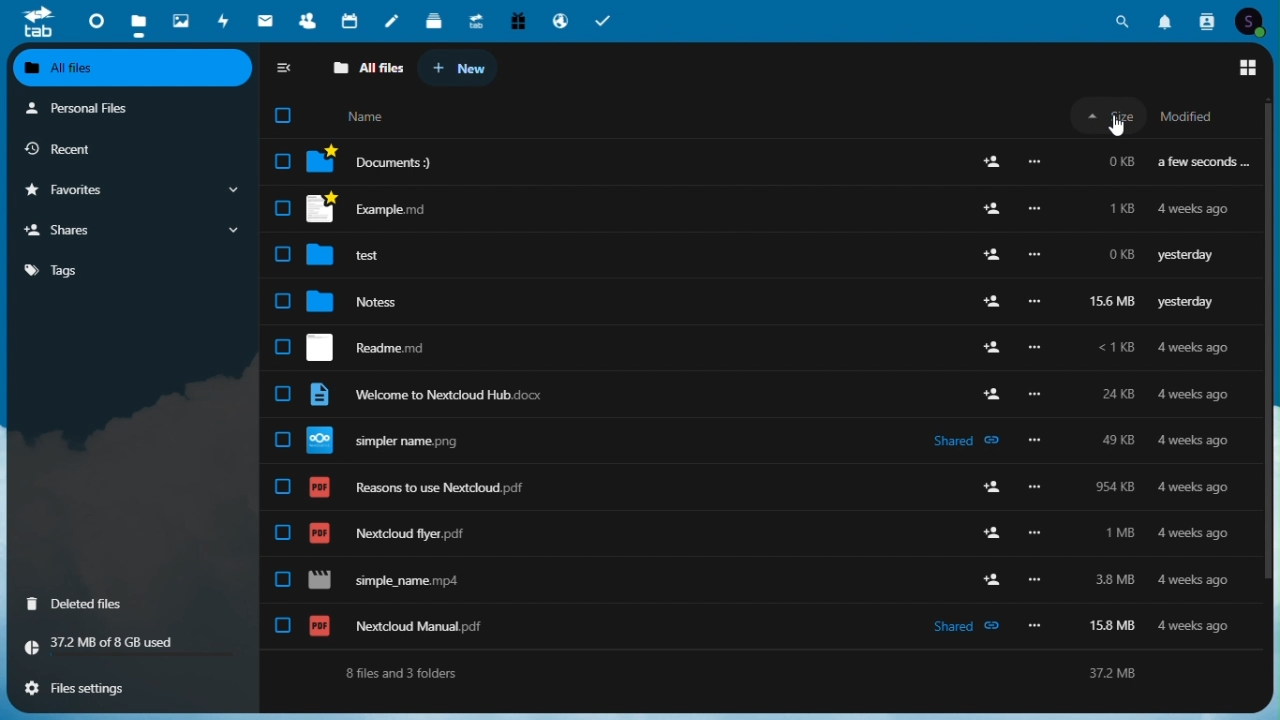  What do you see at coordinates (138, 23) in the screenshot?
I see `files` at bounding box center [138, 23].